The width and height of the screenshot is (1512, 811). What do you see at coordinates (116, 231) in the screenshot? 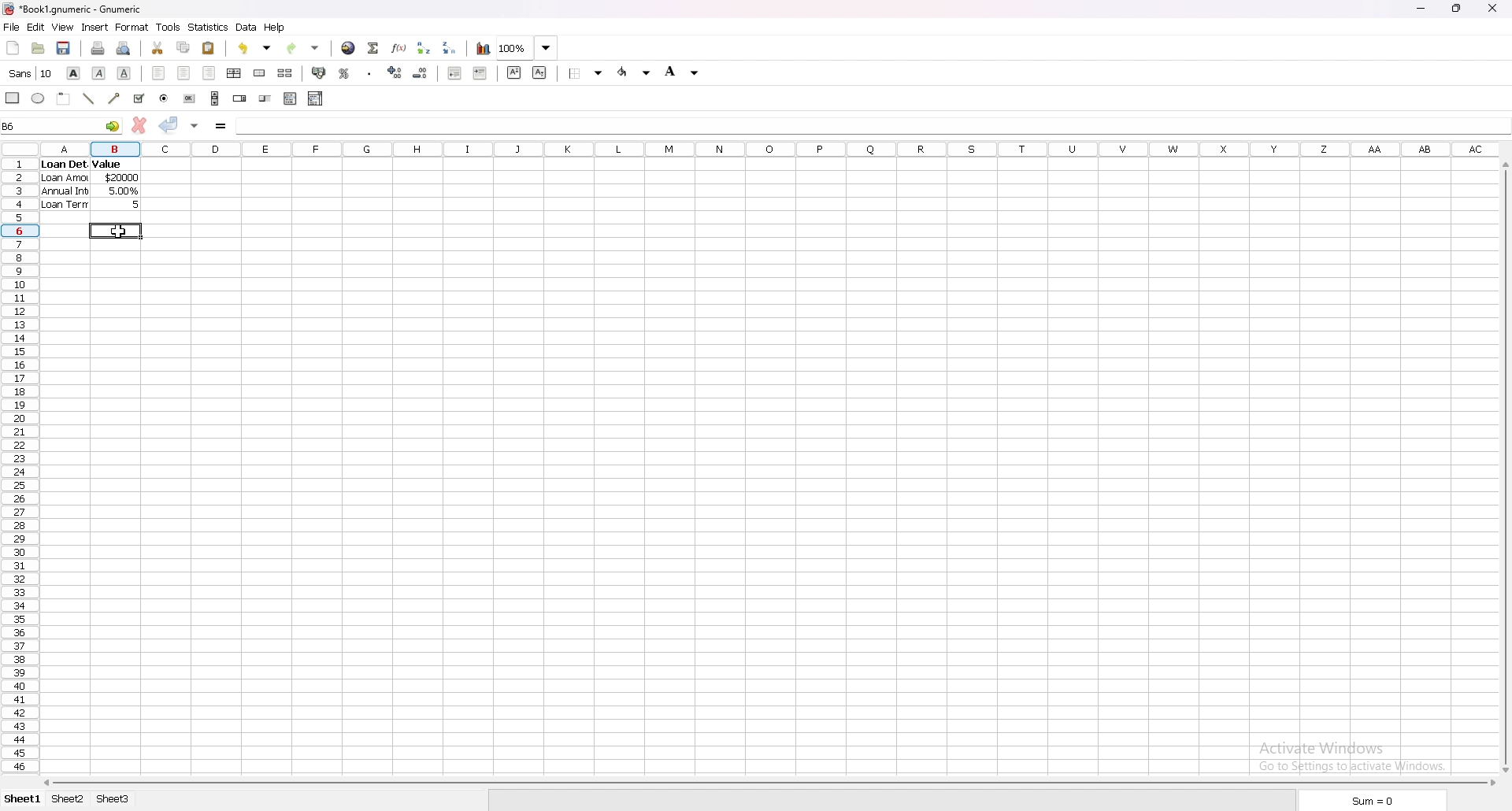
I see `selected cell` at bounding box center [116, 231].